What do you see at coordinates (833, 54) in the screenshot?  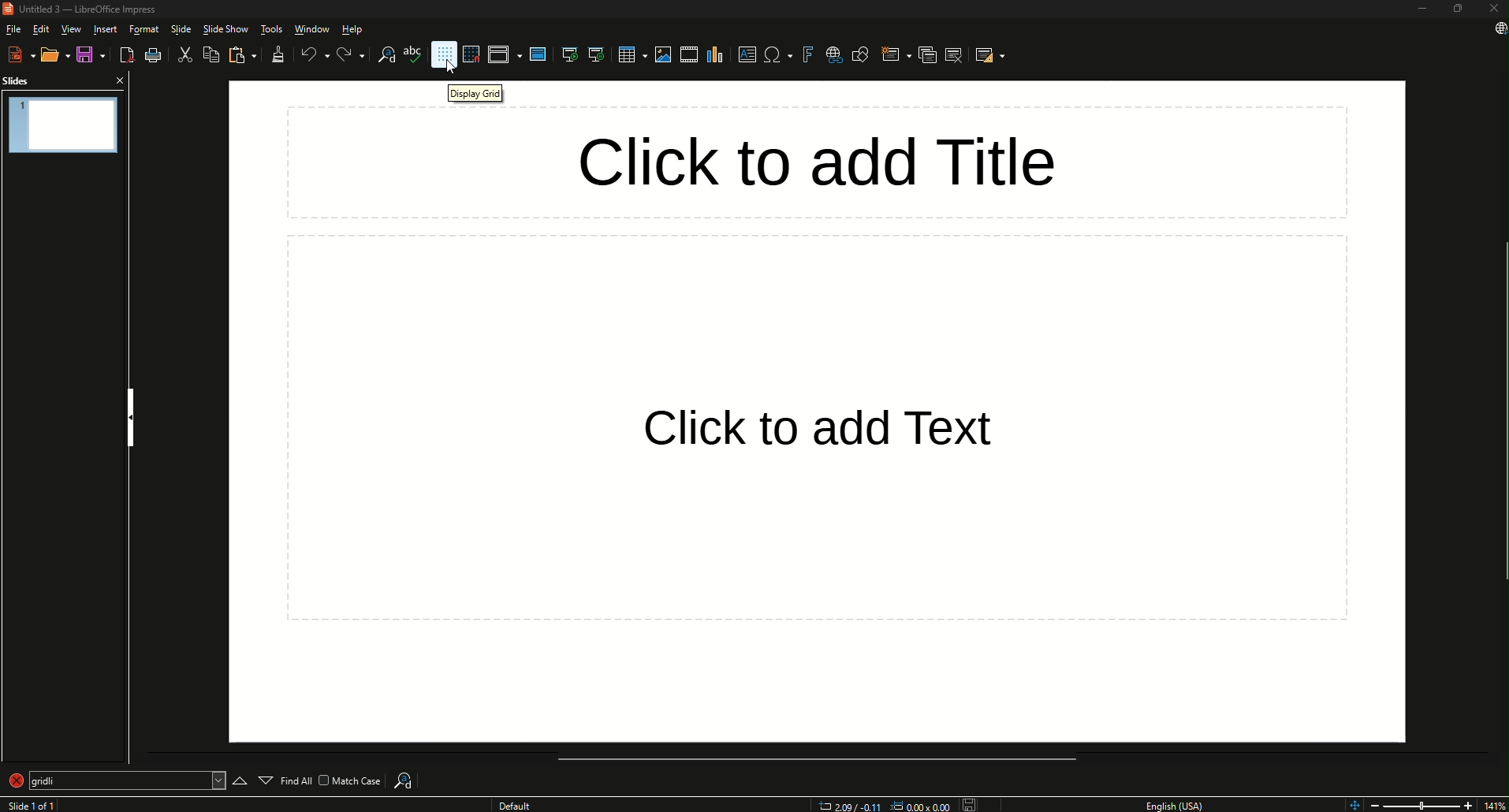 I see `Insert hyperlink` at bounding box center [833, 54].